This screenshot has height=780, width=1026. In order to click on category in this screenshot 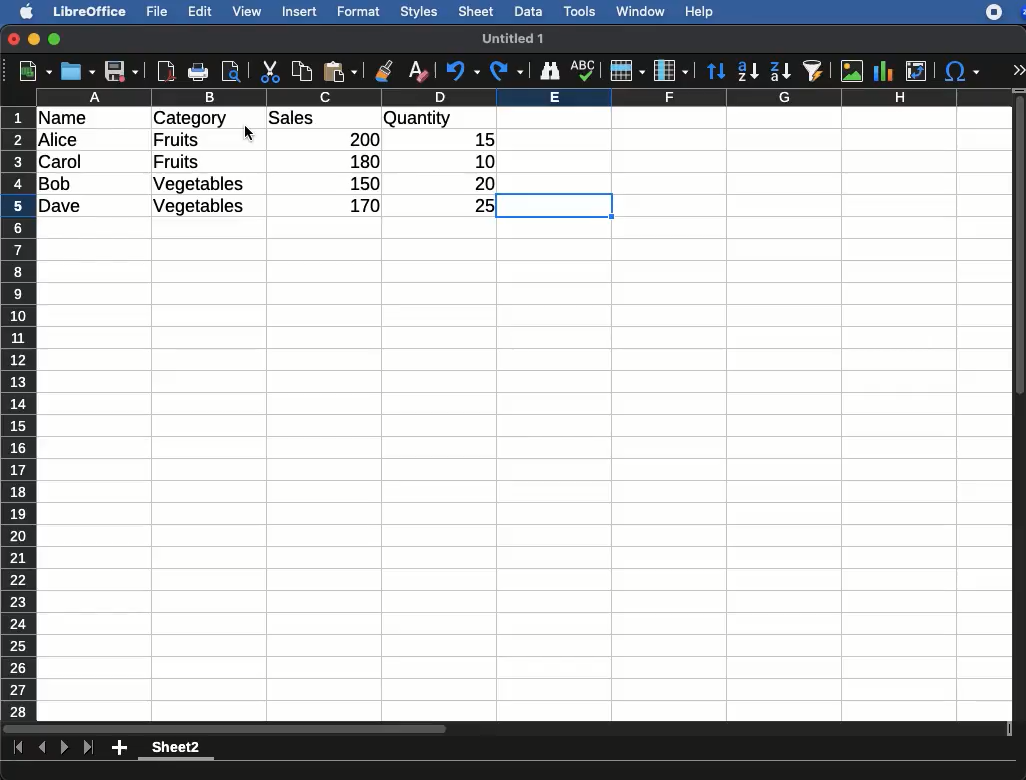, I will do `click(190, 119)`.